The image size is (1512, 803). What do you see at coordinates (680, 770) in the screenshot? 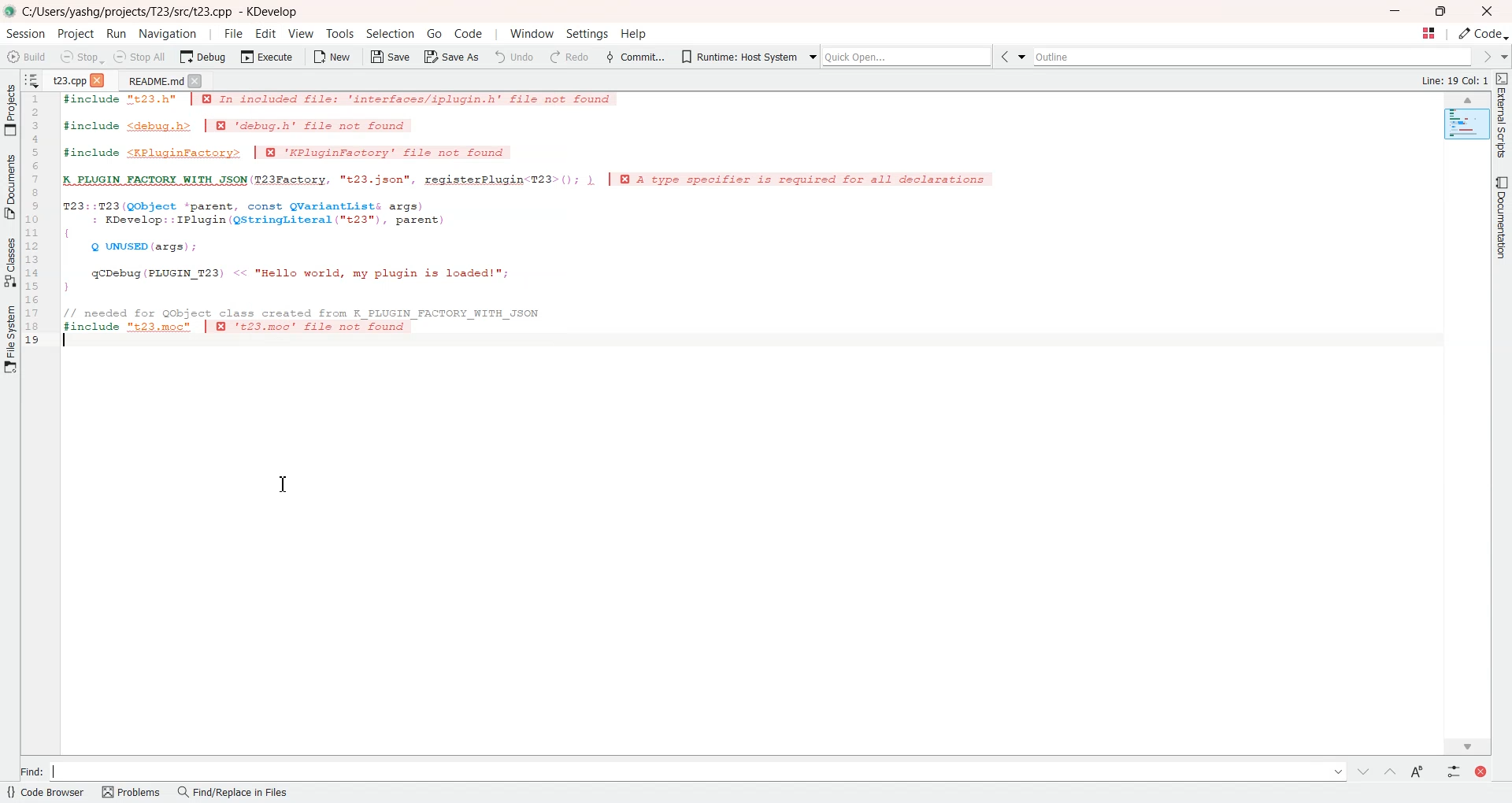
I see `Find` at bounding box center [680, 770].